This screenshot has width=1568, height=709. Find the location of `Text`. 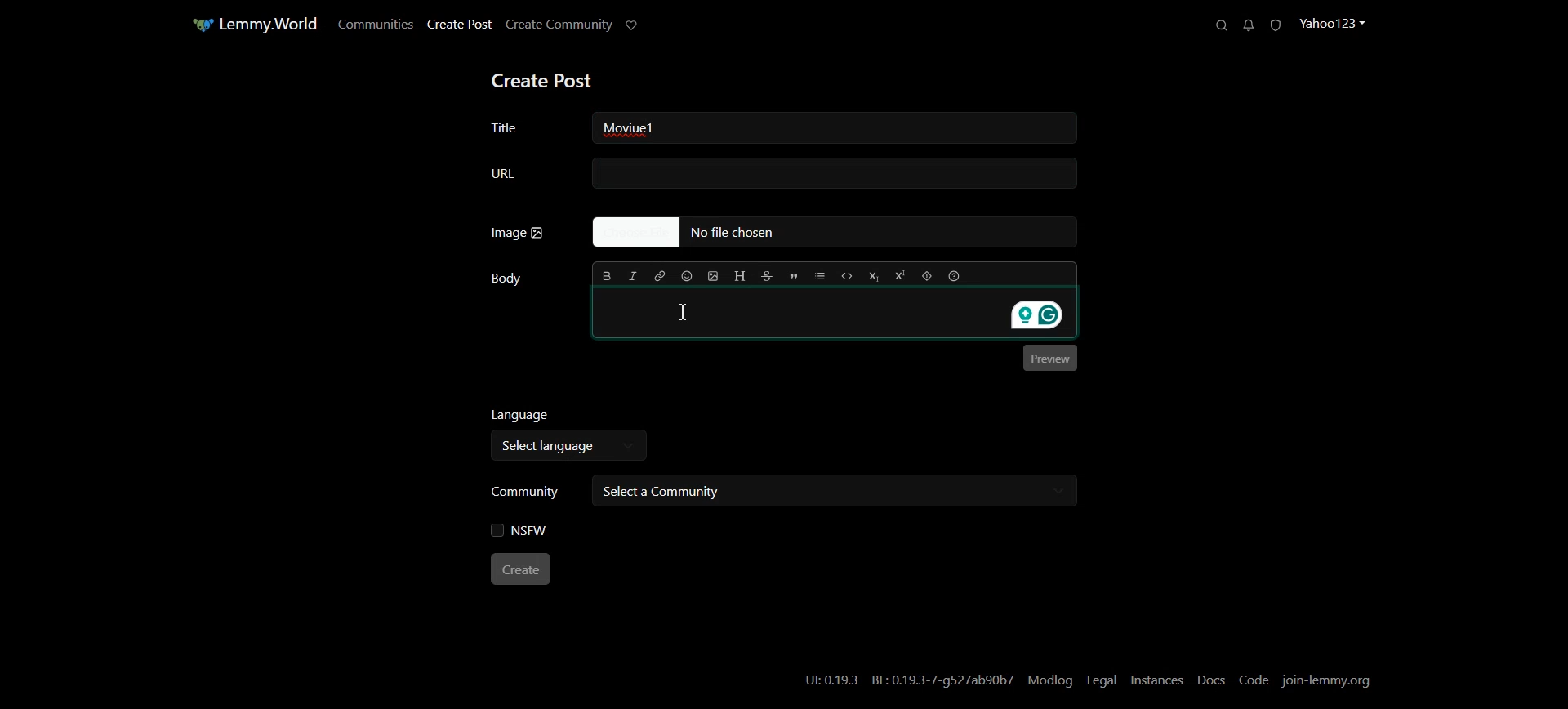

Text is located at coordinates (648, 127).